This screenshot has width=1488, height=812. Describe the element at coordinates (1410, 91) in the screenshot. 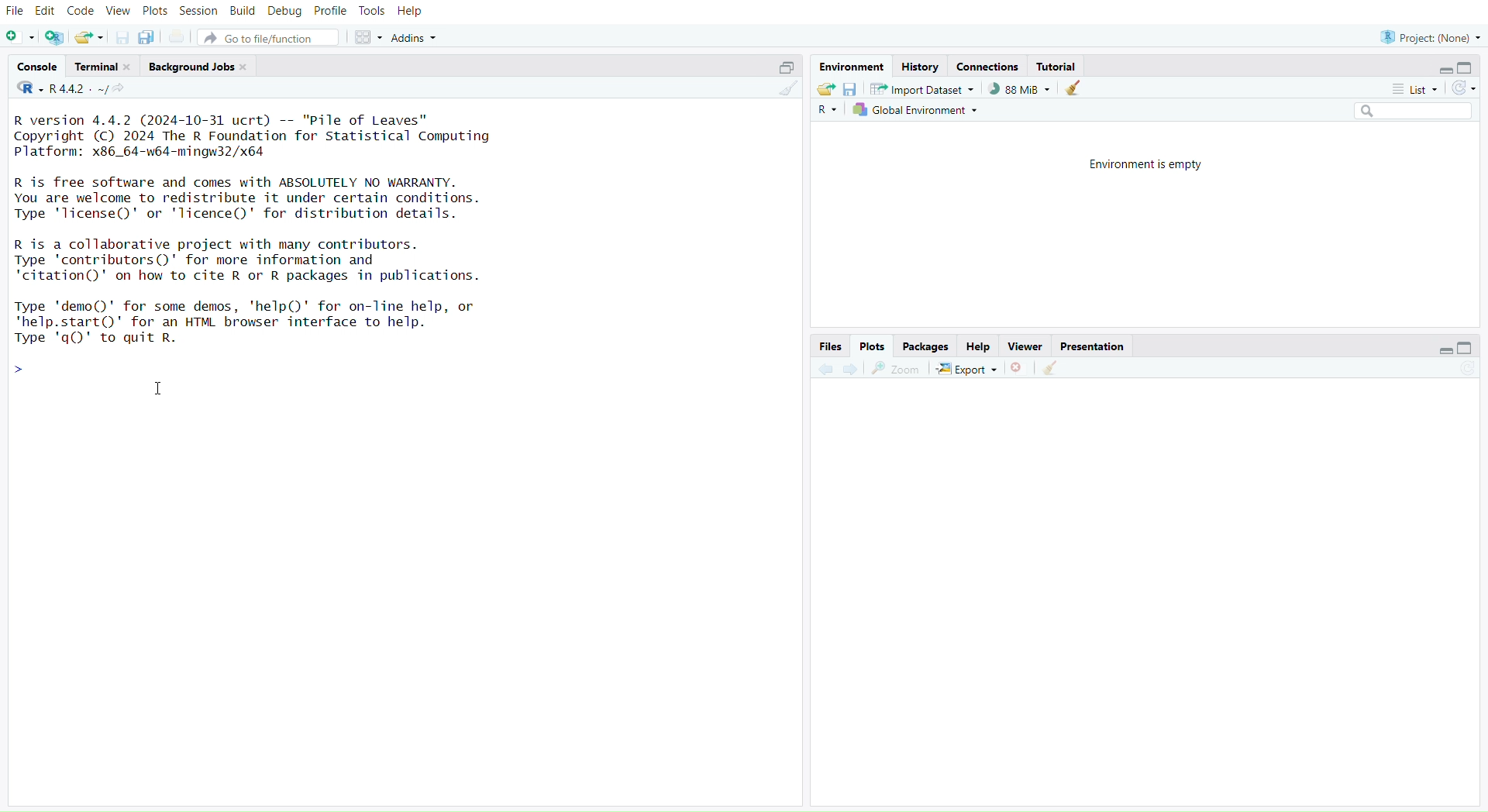

I see `list` at that location.